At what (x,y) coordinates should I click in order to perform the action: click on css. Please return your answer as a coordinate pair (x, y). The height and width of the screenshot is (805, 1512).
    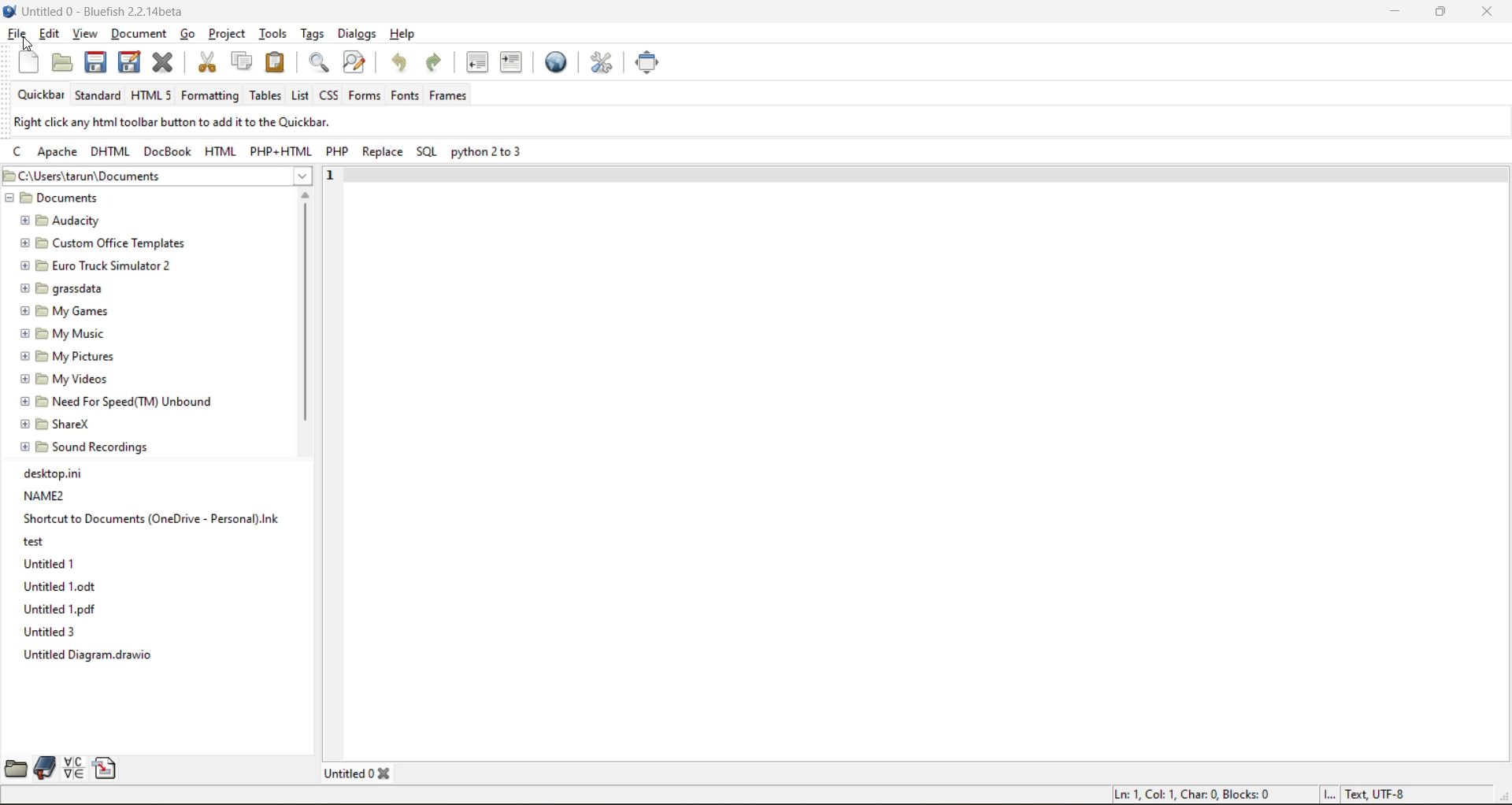
    Looking at the image, I should click on (330, 95).